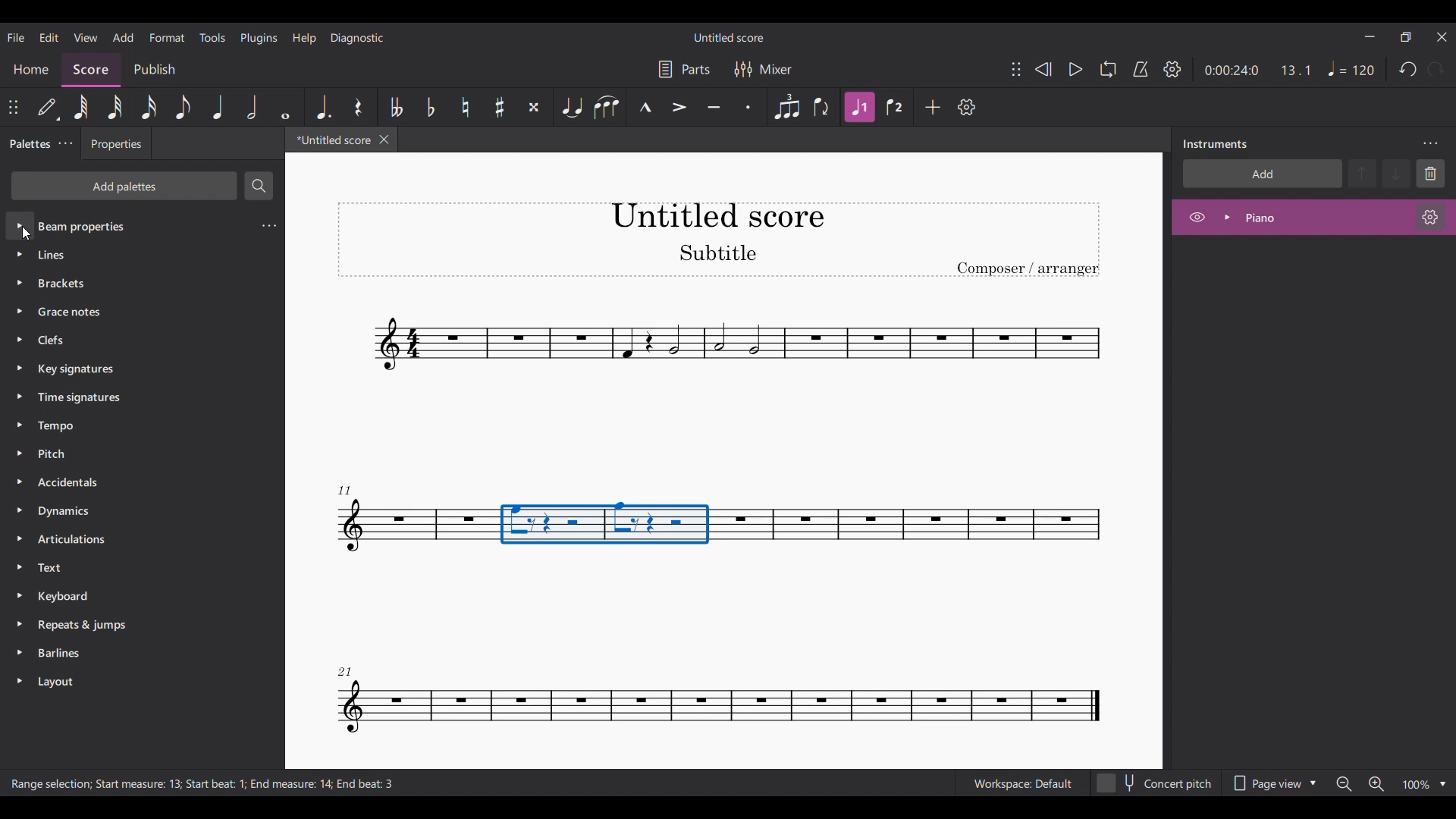  Describe the element at coordinates (645, 107) in the screenshot. I see `Marcato` at that location.